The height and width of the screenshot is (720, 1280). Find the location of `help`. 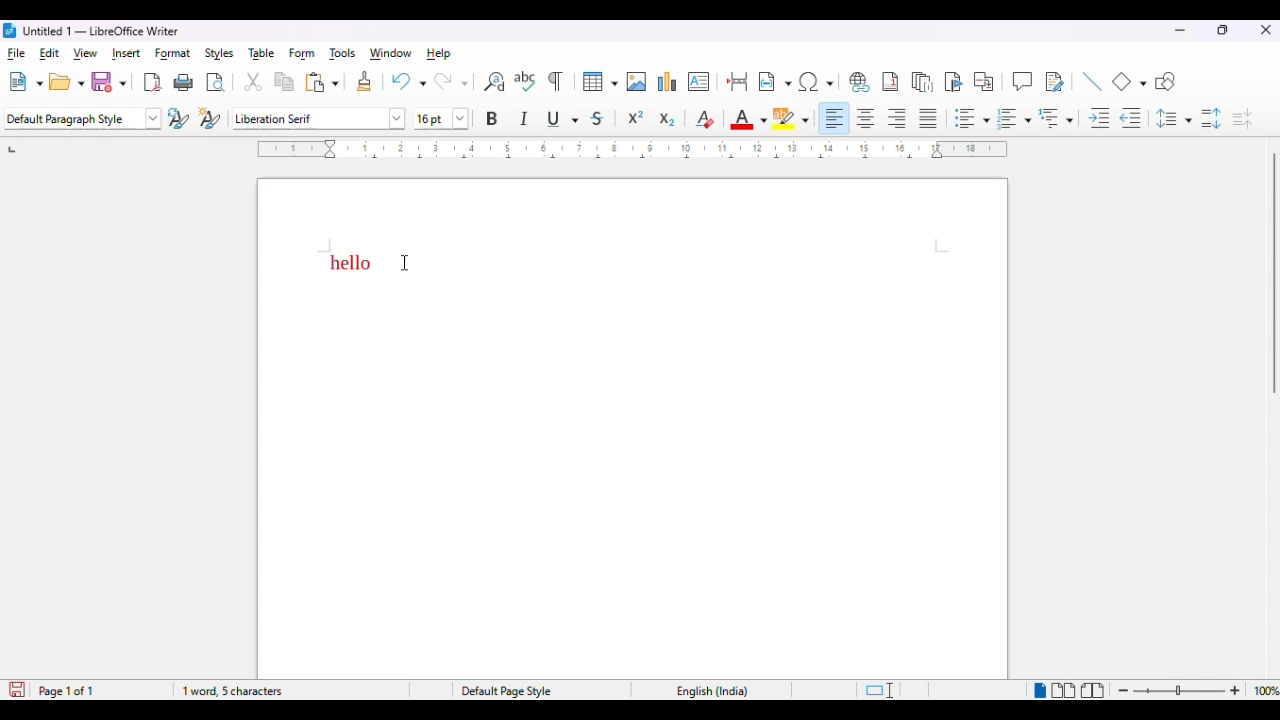

help is located at coordinates (438, 53).